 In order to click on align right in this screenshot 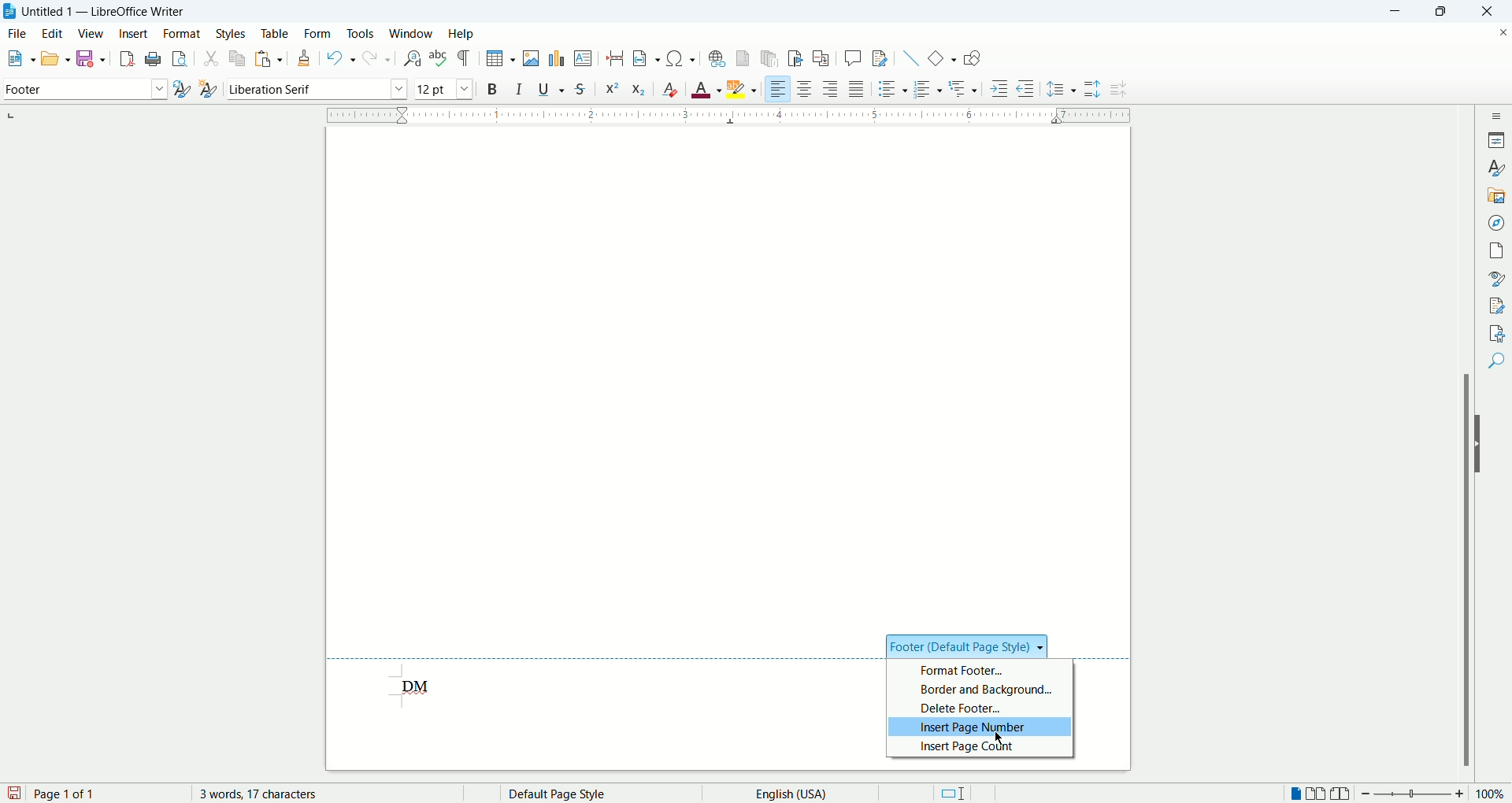, I will do `click(832, 91)`.